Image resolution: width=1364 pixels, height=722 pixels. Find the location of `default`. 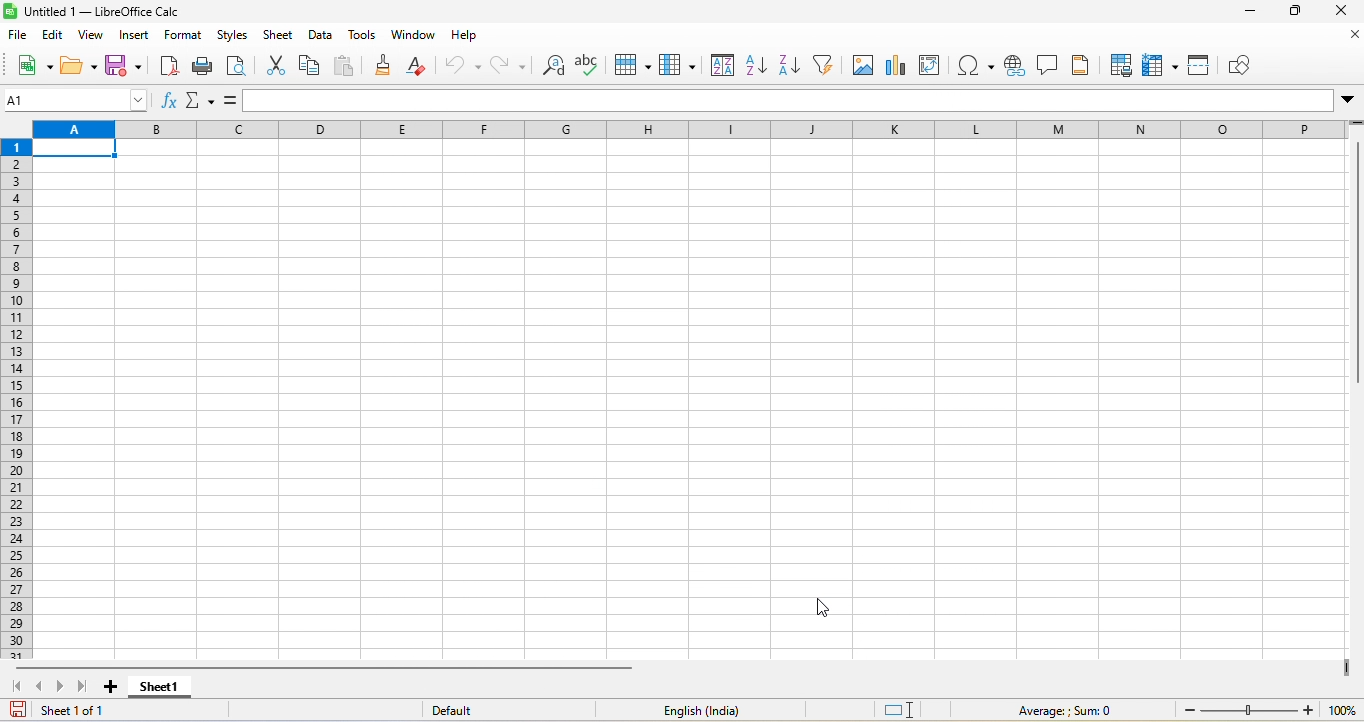

default is located at coordinates (462, 710).